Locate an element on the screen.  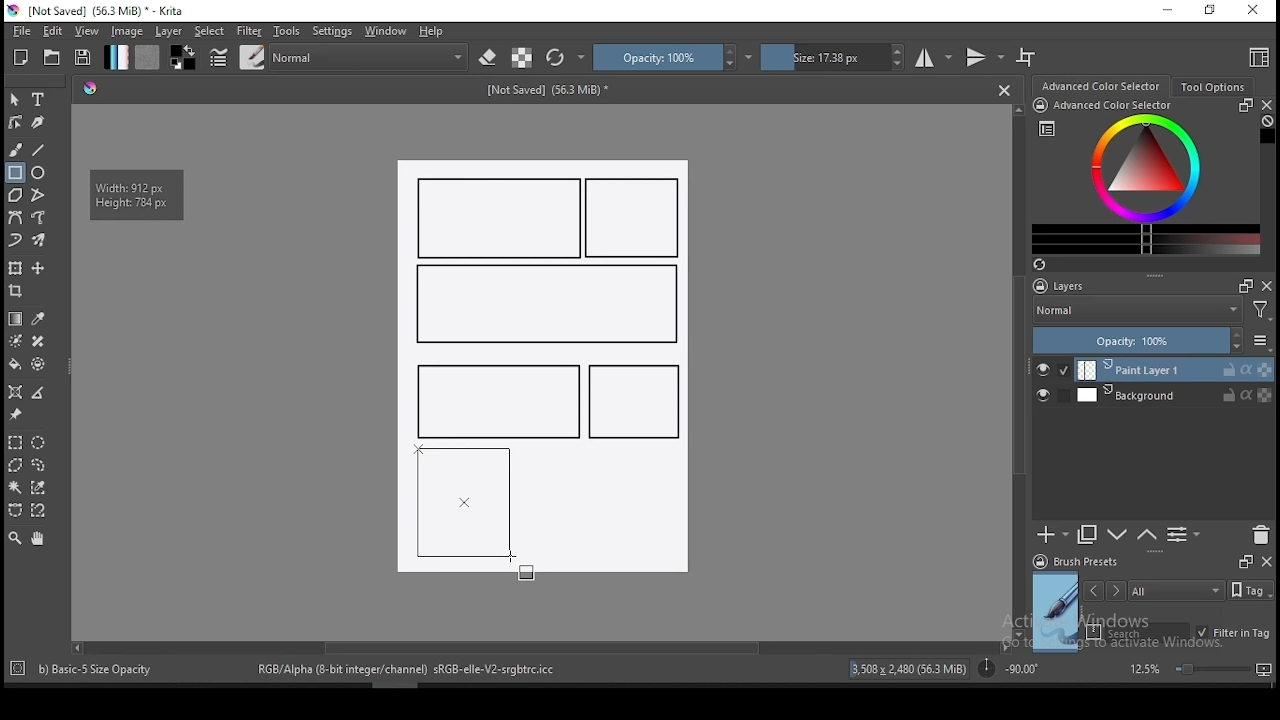
ellipse tool is located at coordinates (39, 171).